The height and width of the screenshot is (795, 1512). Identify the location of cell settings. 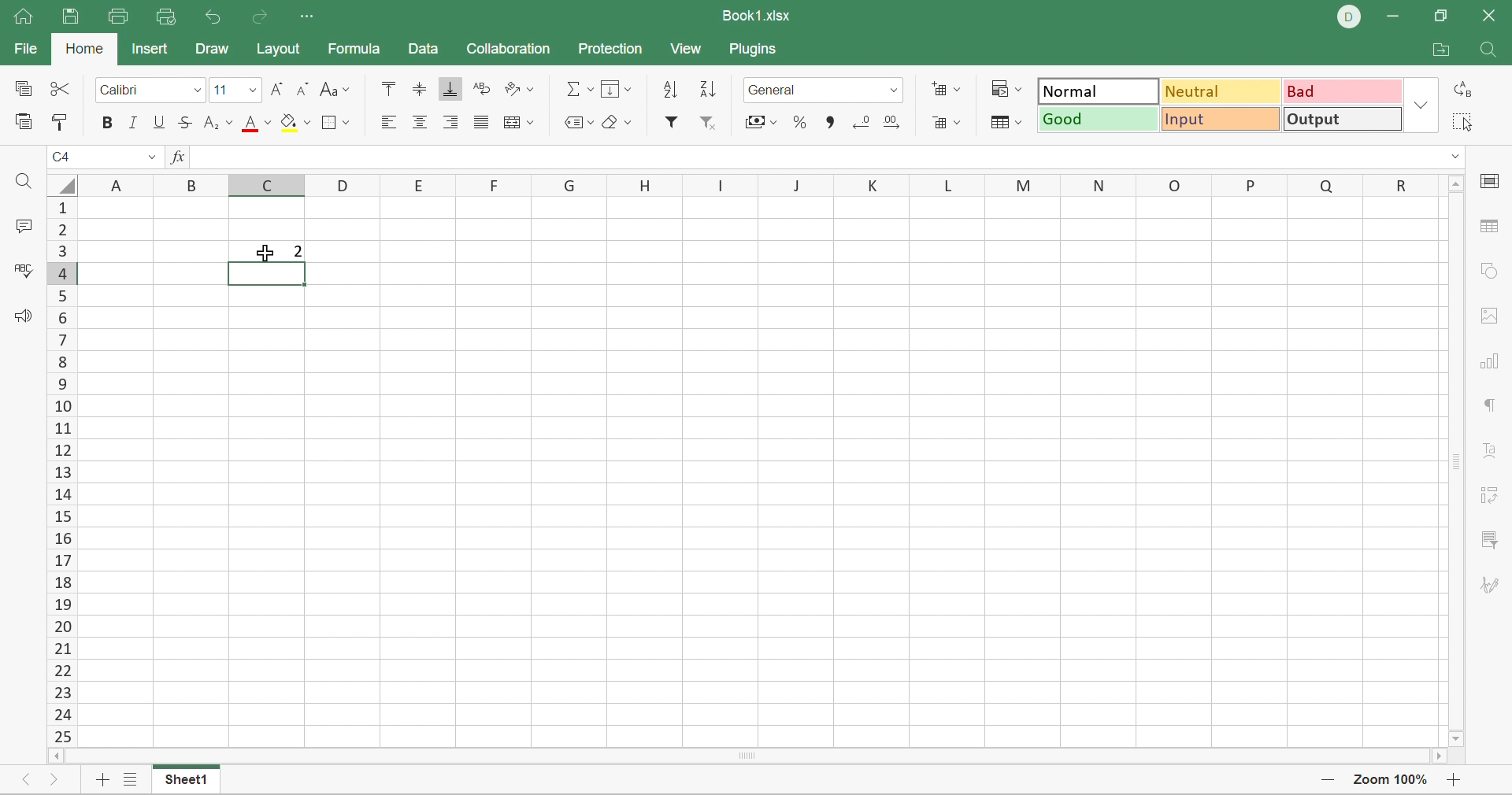
(1491, 183).